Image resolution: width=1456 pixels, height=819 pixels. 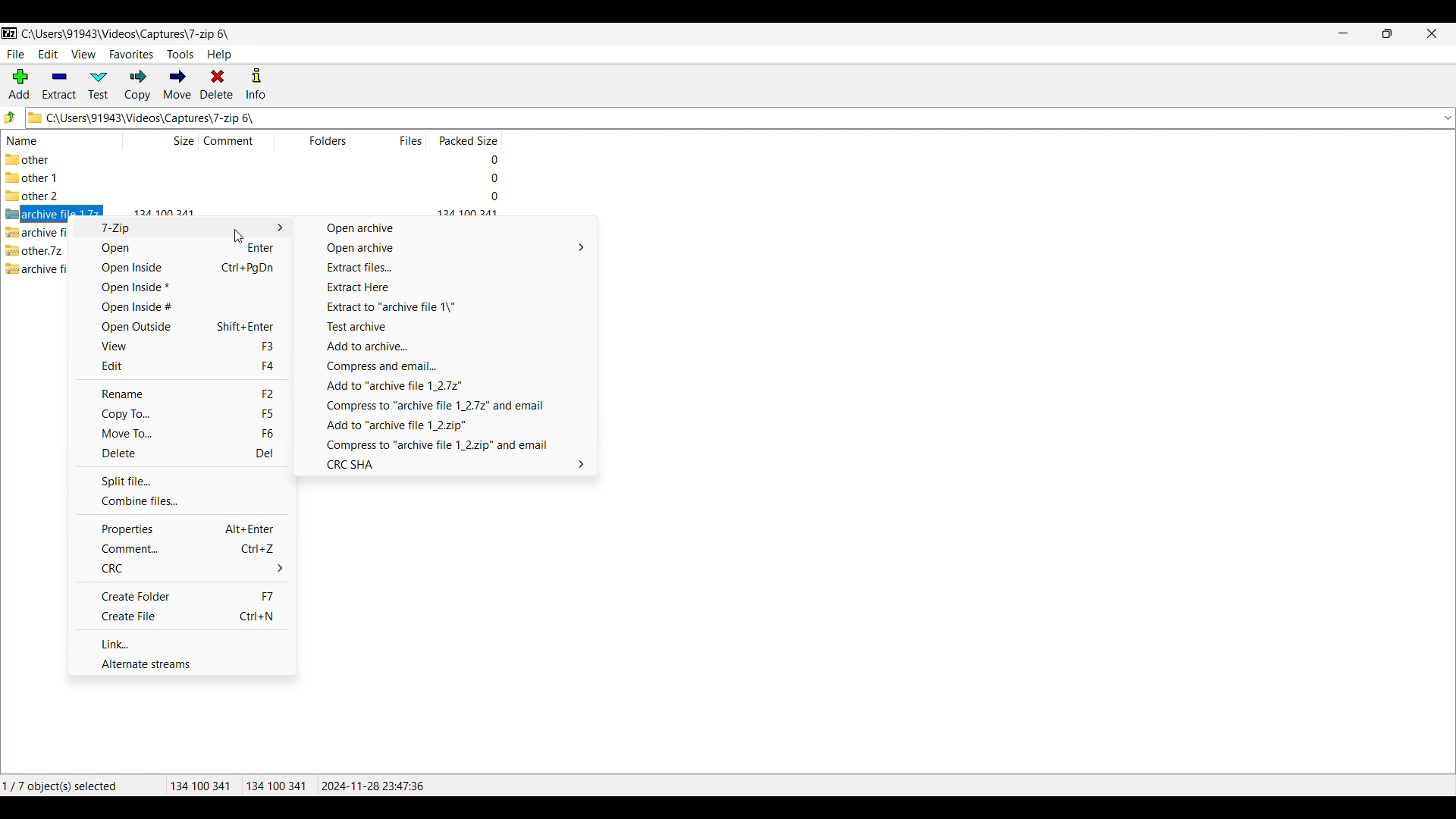 I want to click on Extract files, so click(x=446, y=267).